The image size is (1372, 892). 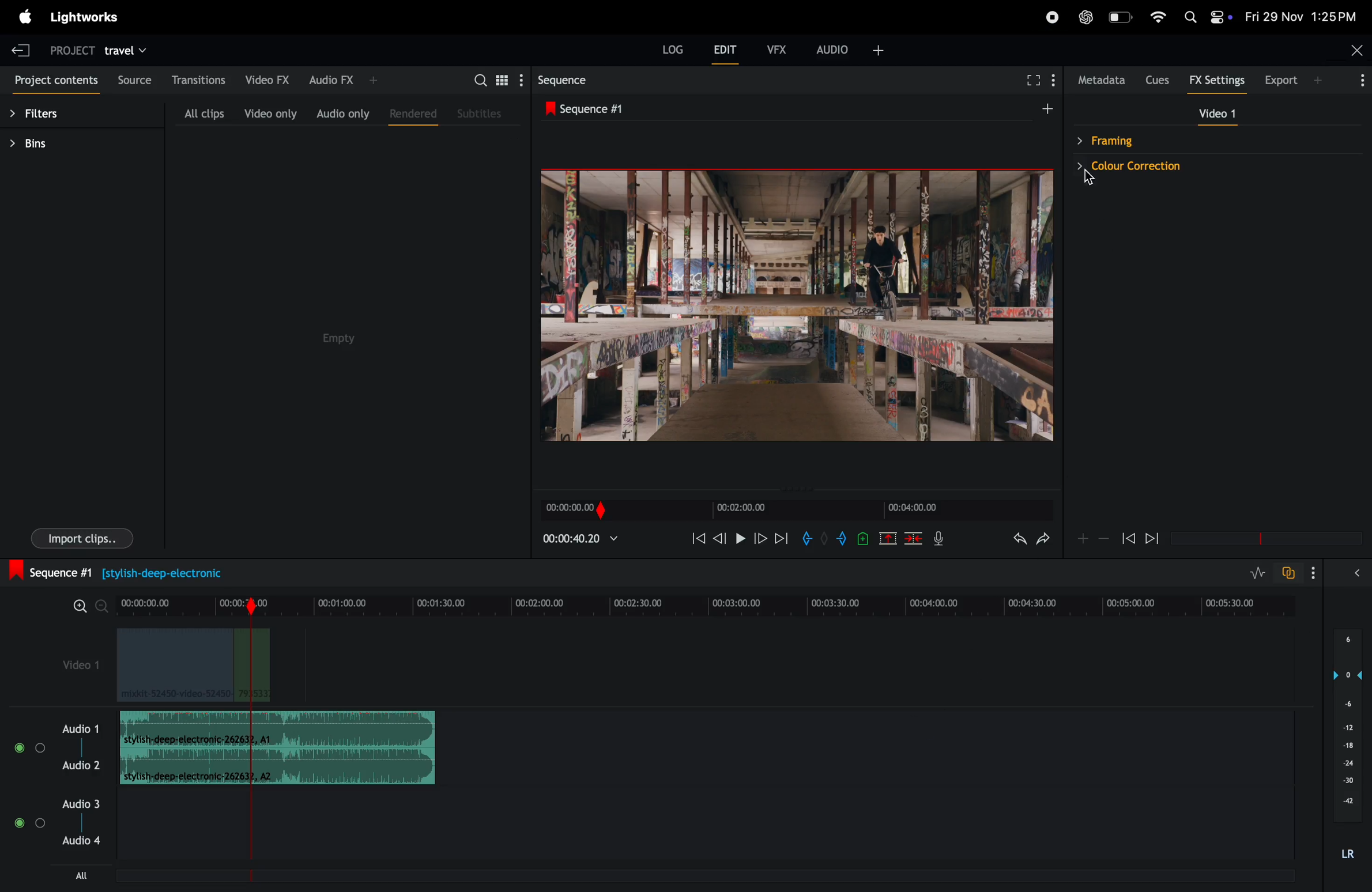 What do you see at coordinates (1157, 80) in the screenshot?
I see `cues` at bounding box center [1157, 80].